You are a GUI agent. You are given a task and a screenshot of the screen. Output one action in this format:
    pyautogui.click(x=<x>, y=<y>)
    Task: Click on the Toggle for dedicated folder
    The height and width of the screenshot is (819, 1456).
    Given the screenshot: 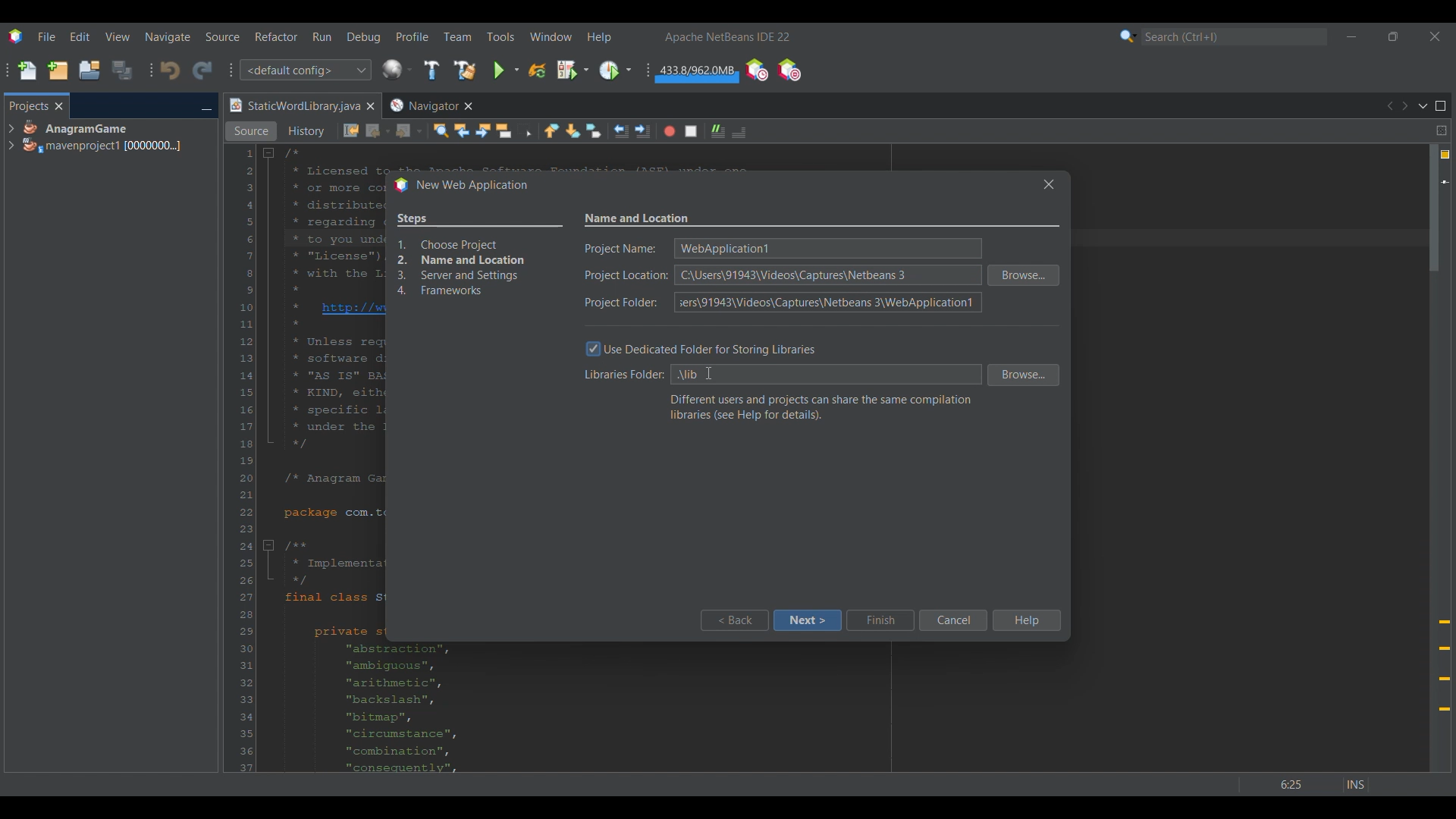 What is the action you would take?
    pyautogui.click(x=714, y=348)
    